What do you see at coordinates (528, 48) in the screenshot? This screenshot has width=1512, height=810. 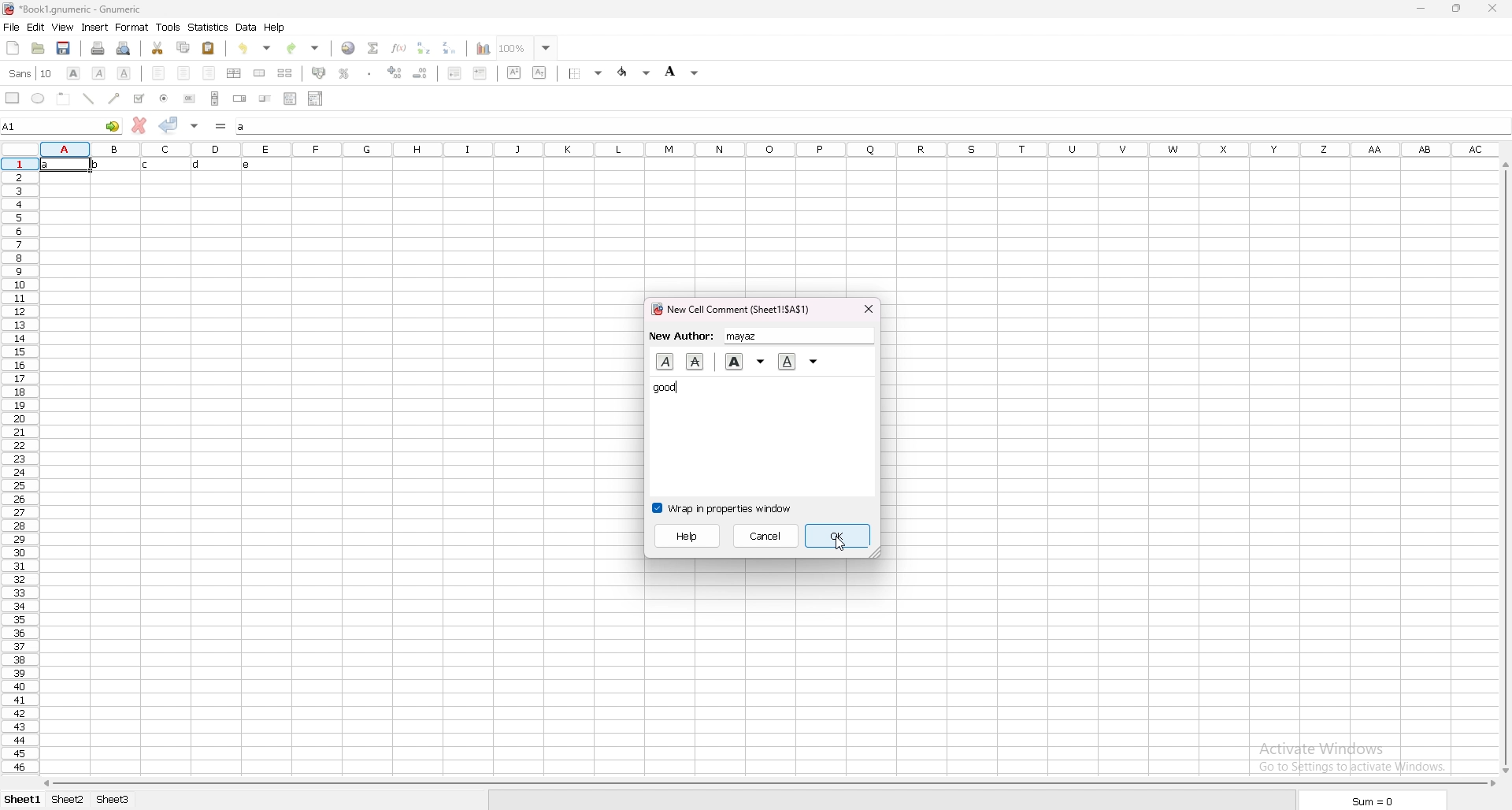 I see `zoom` at bounding box center [528, 48].